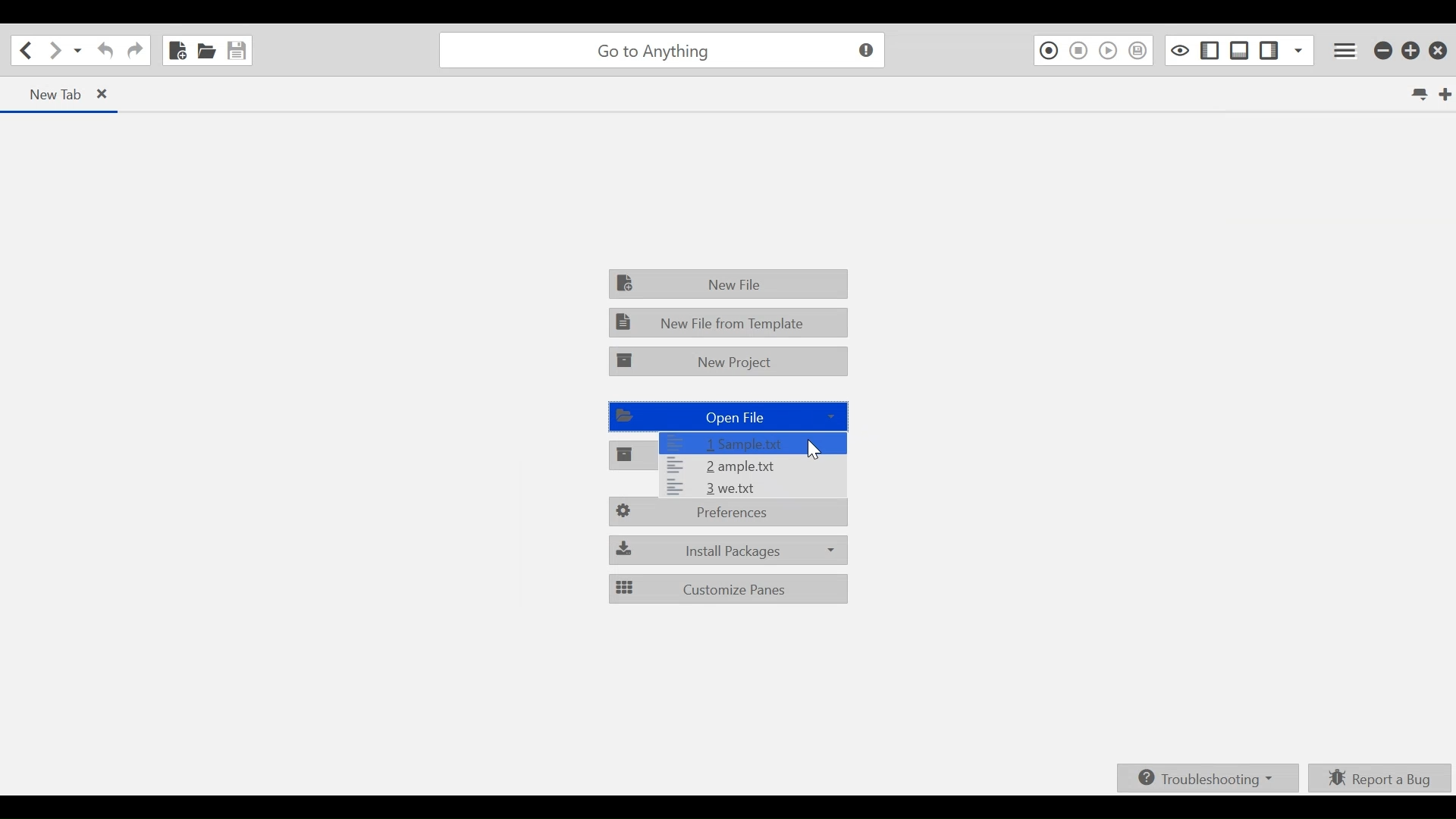 This screenshot has height=819, width=1456. I want to click on Show/Hide Right Side Panel, so click(1209, 49).